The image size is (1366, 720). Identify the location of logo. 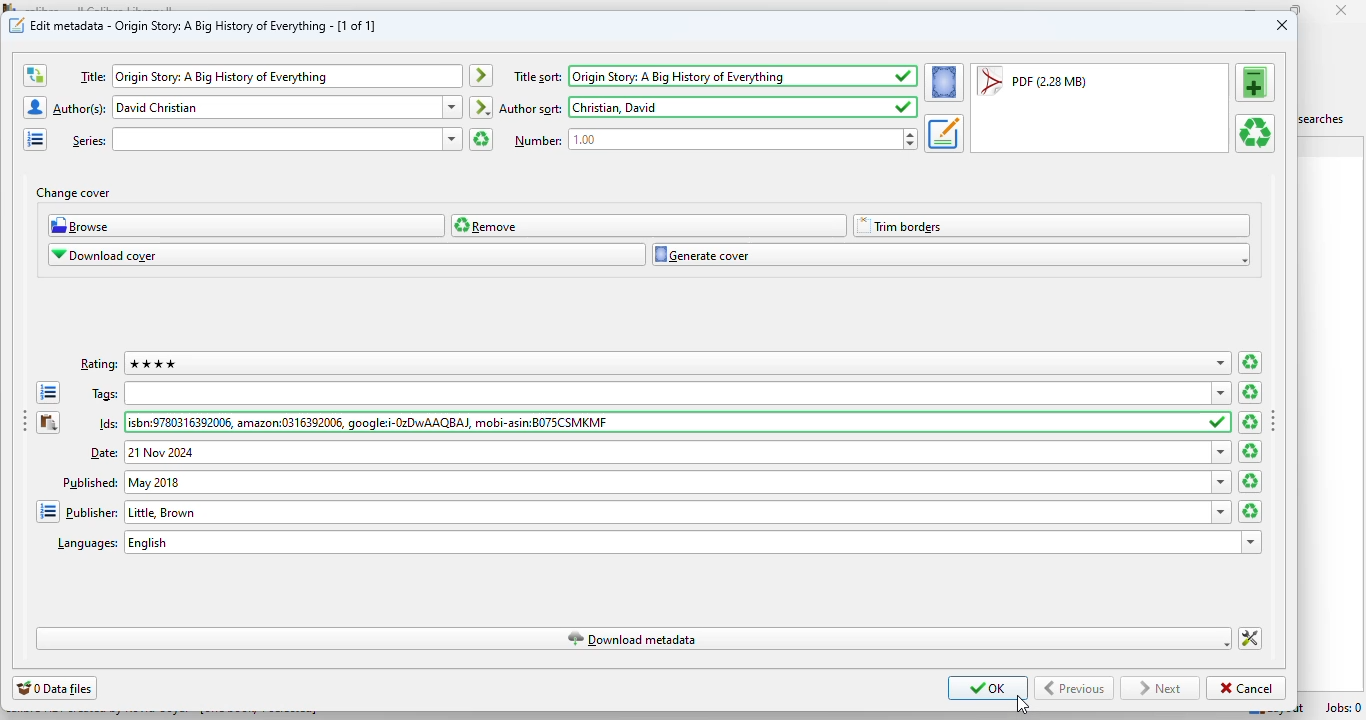
(17, 24).